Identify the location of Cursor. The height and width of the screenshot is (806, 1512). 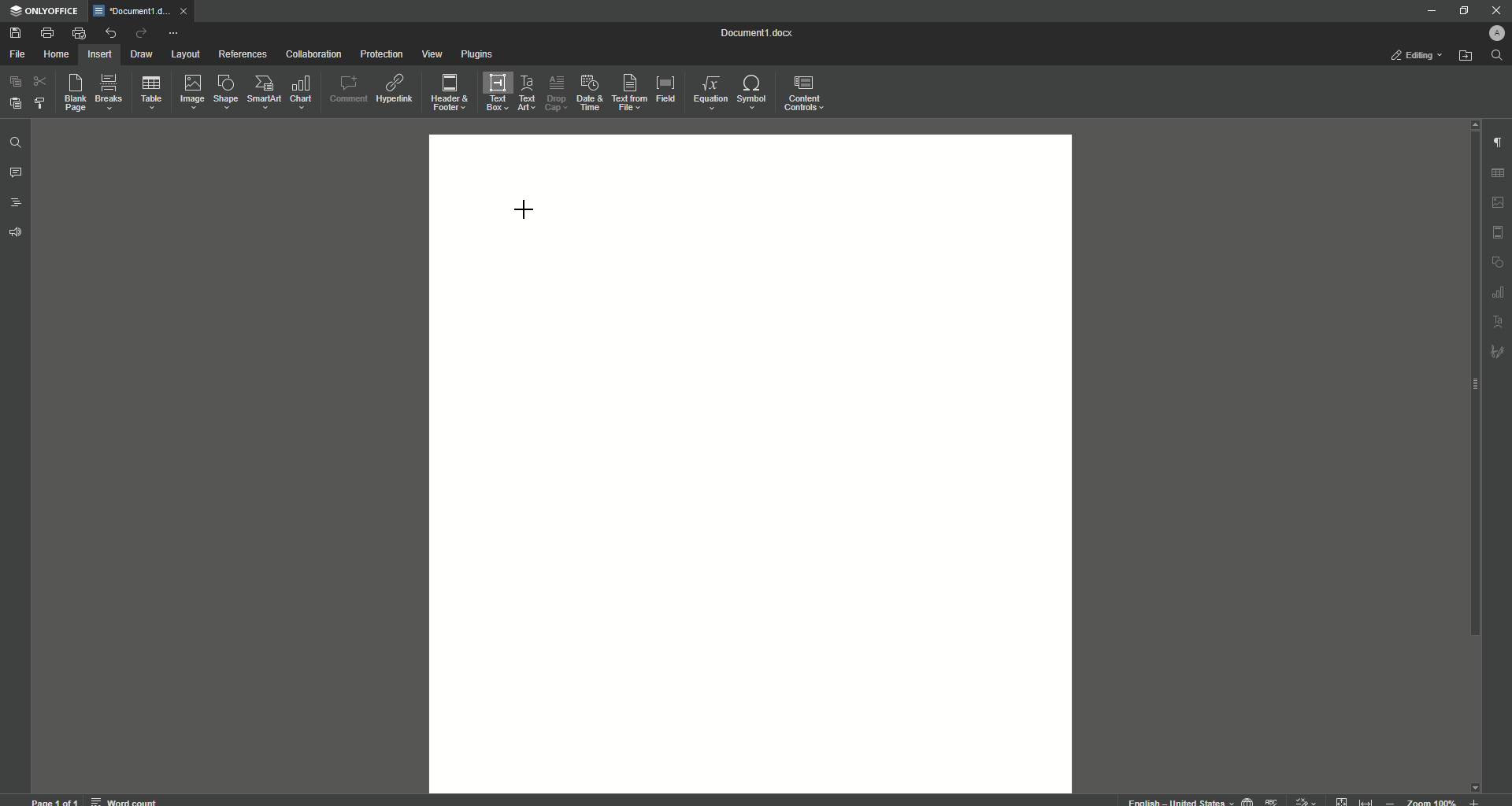
(524, 207).